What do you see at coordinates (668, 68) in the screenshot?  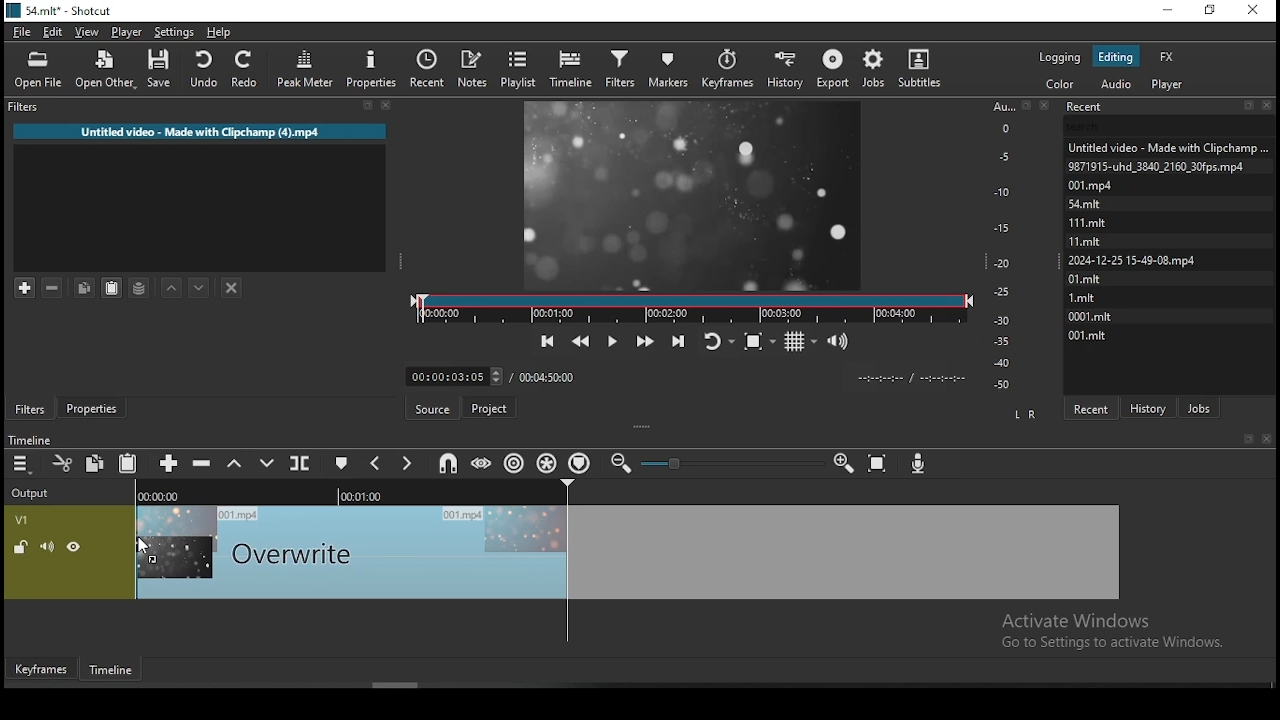 I see `markers` at bounding box center [668, 68].